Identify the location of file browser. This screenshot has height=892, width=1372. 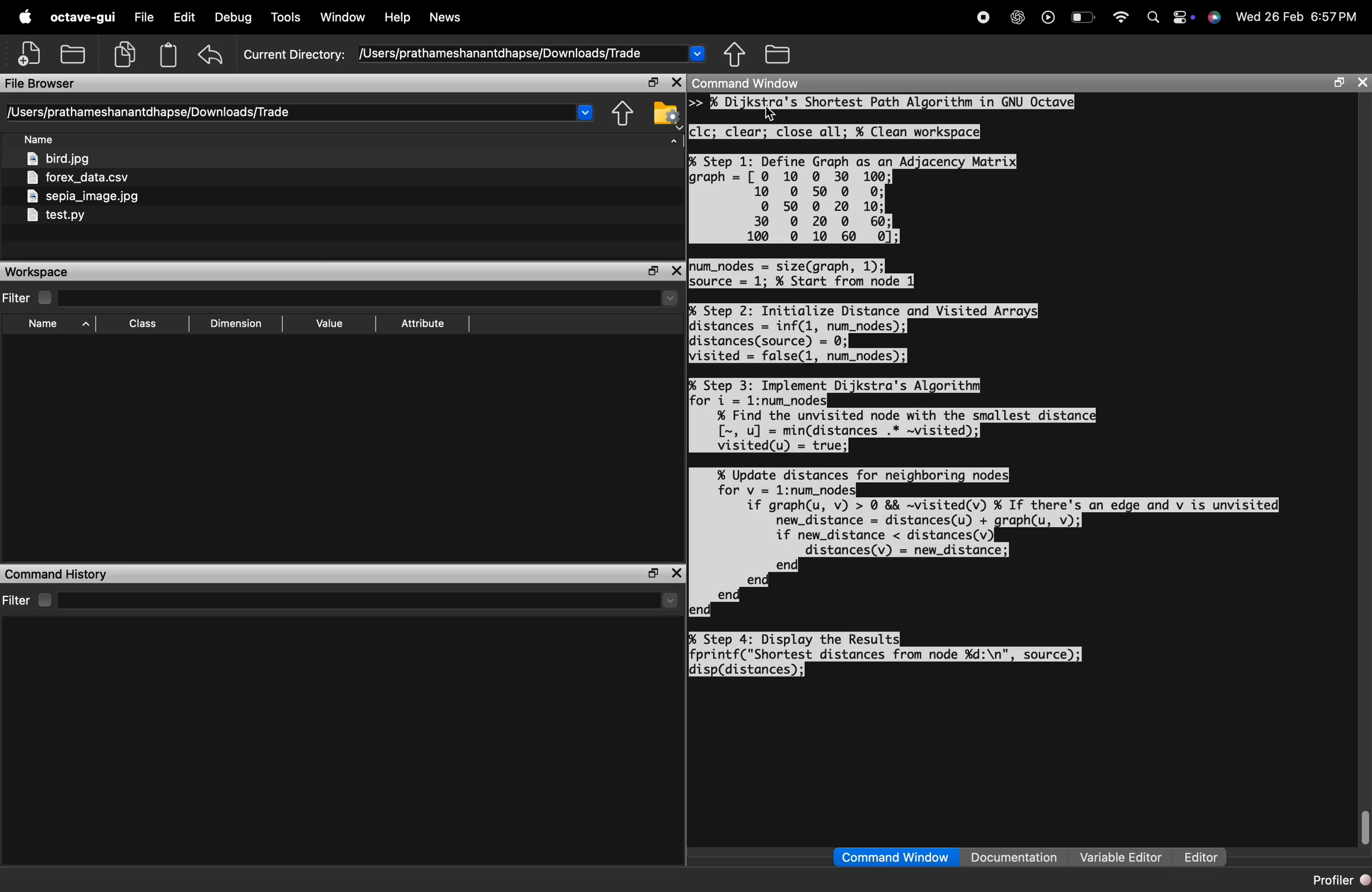
(43, 84).